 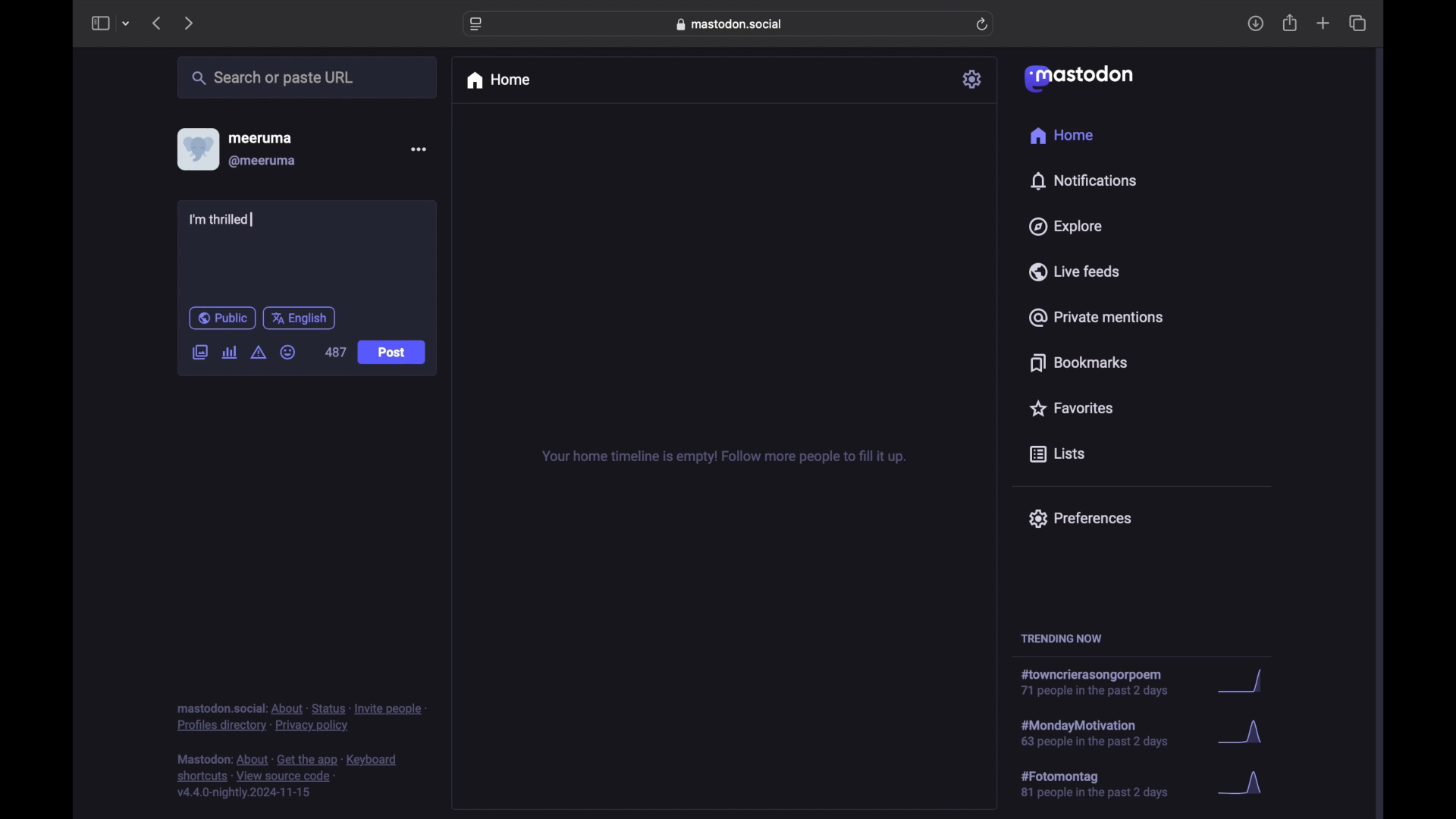 I want to click on website settings, so click(x=476, y=25).